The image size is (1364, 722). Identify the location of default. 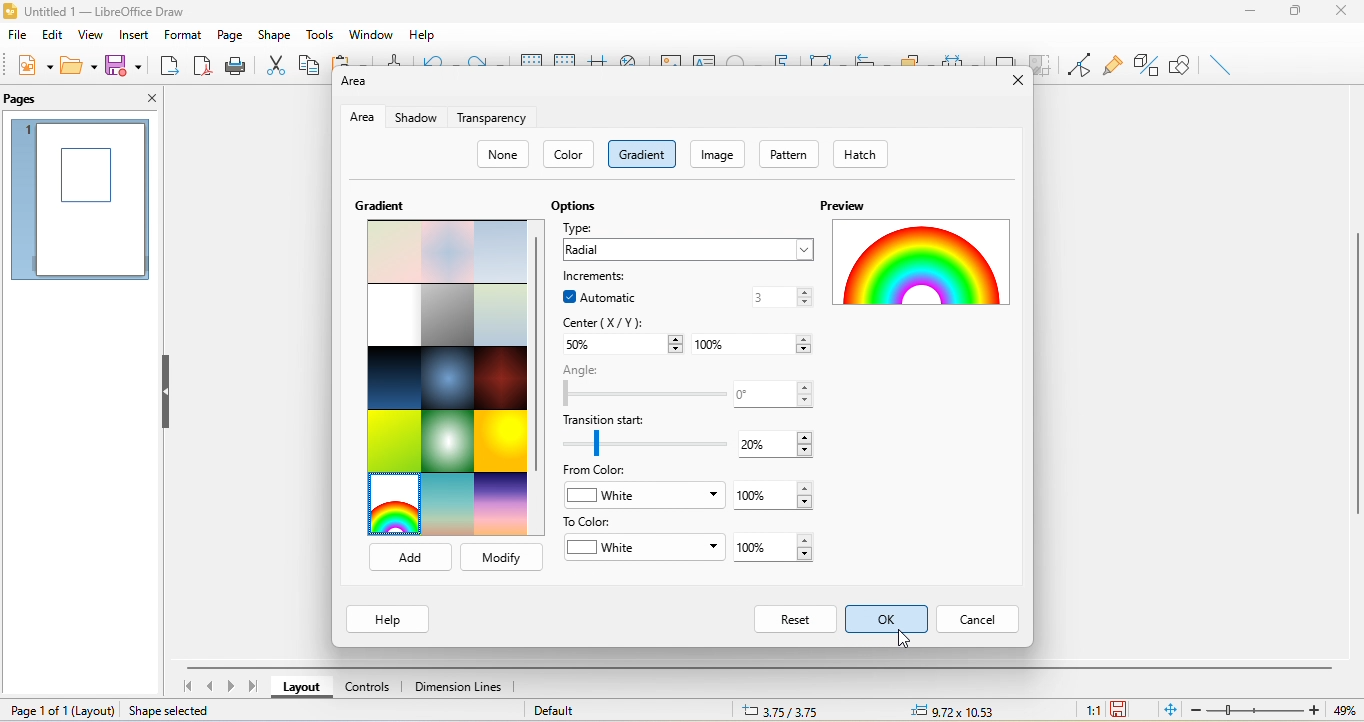
(573, 710).